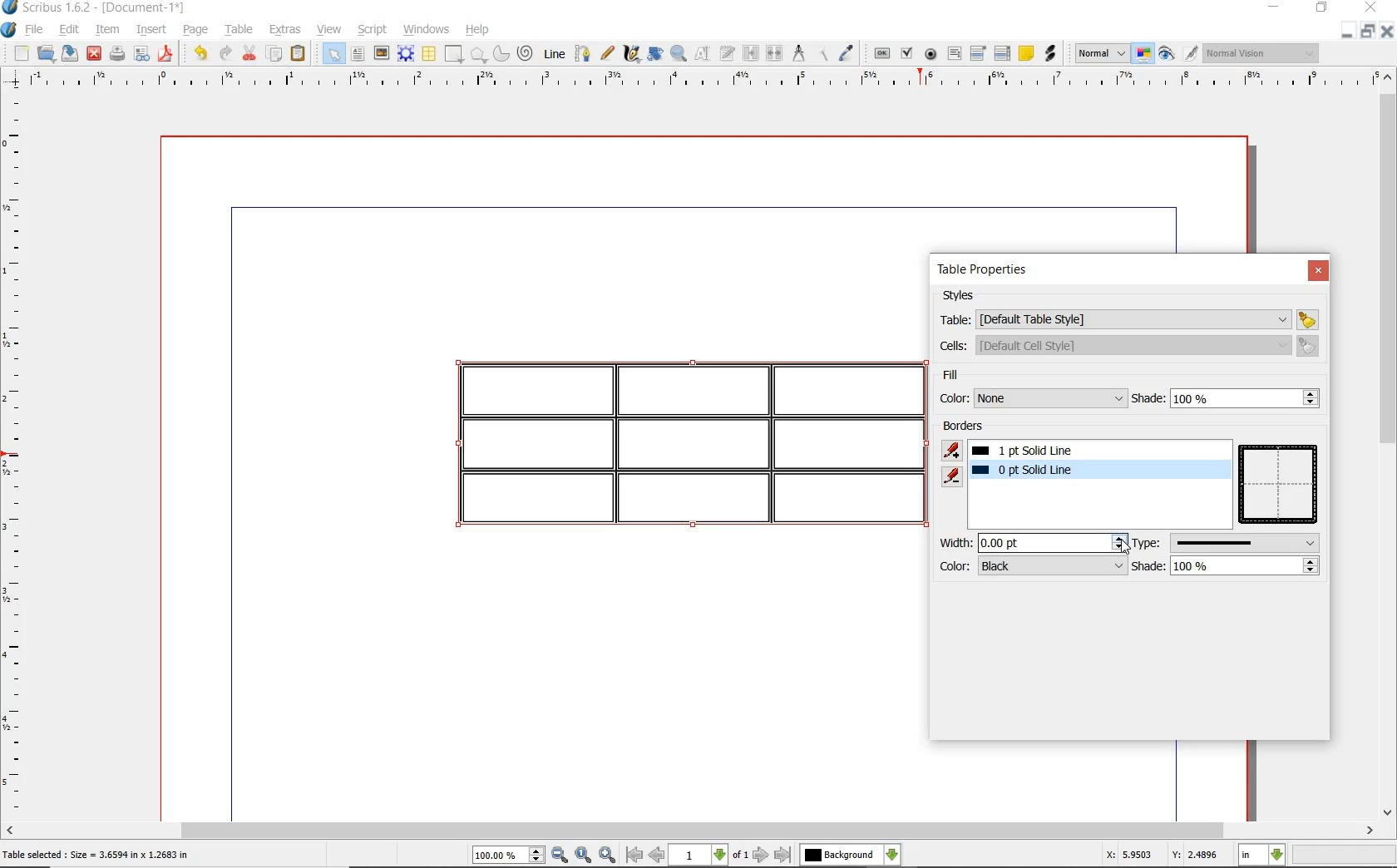 This screenshot has height=868, width=1397. What do you see at coordinates (560, 856) in the screenshot?
I see `zoom out` at bounding box center [560, 856].